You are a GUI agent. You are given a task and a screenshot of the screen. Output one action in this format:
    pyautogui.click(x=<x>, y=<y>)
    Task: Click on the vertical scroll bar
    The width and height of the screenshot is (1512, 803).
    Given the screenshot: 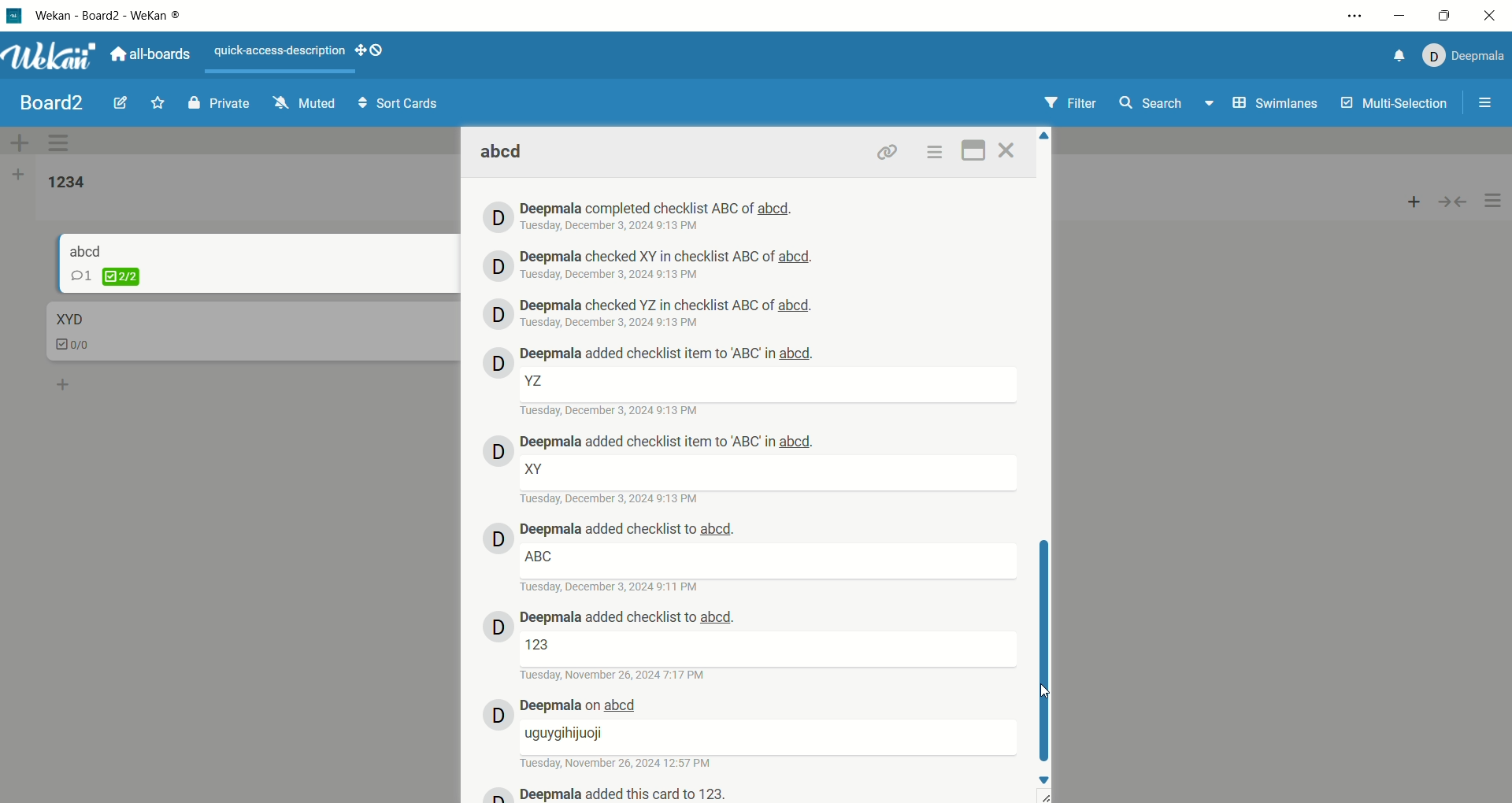 What is the action you would take?
    pyautogui.click(x=1046, y=647)
    